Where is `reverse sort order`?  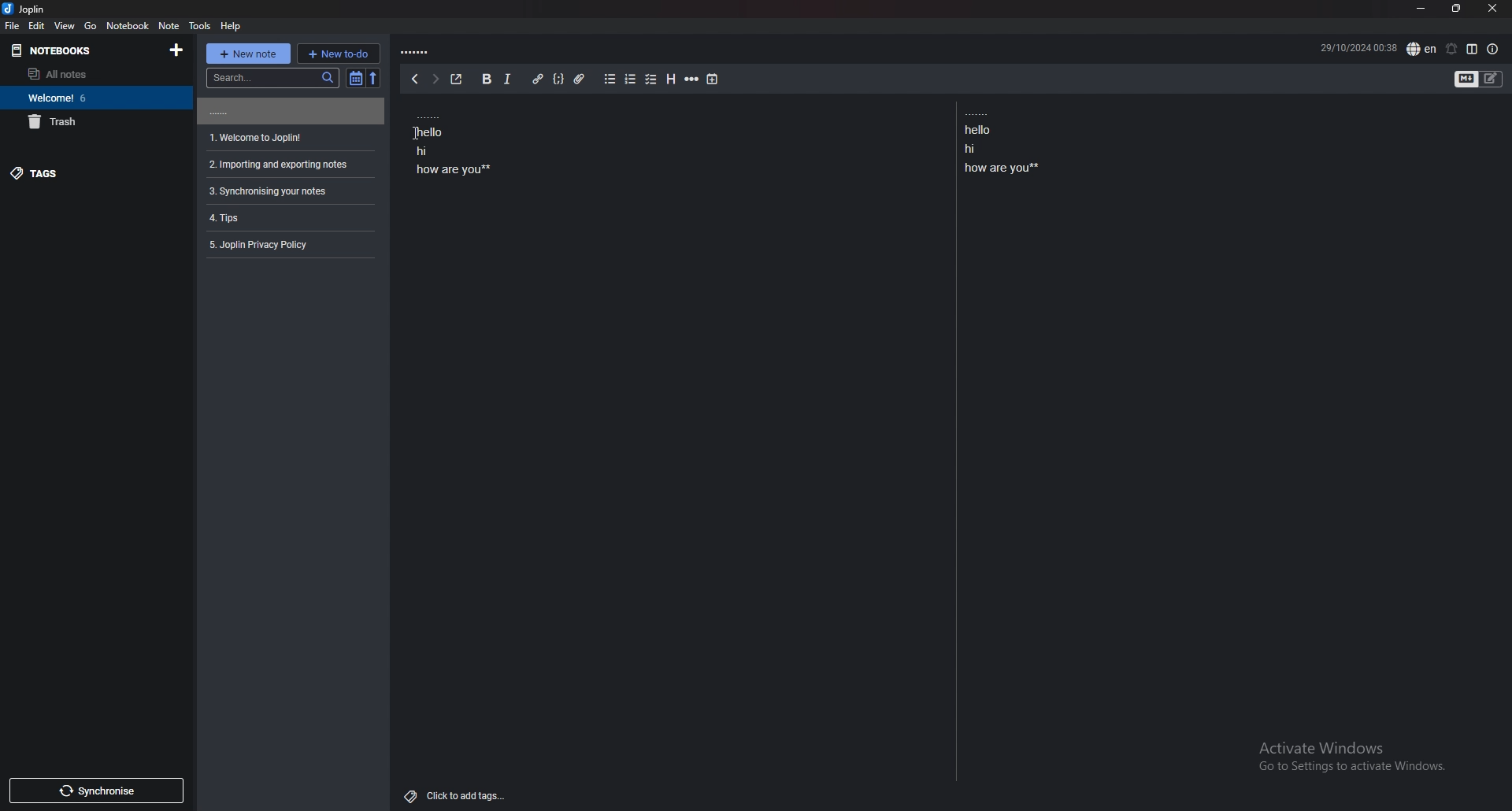 reverse sort order is located at coordinates (375, 78).